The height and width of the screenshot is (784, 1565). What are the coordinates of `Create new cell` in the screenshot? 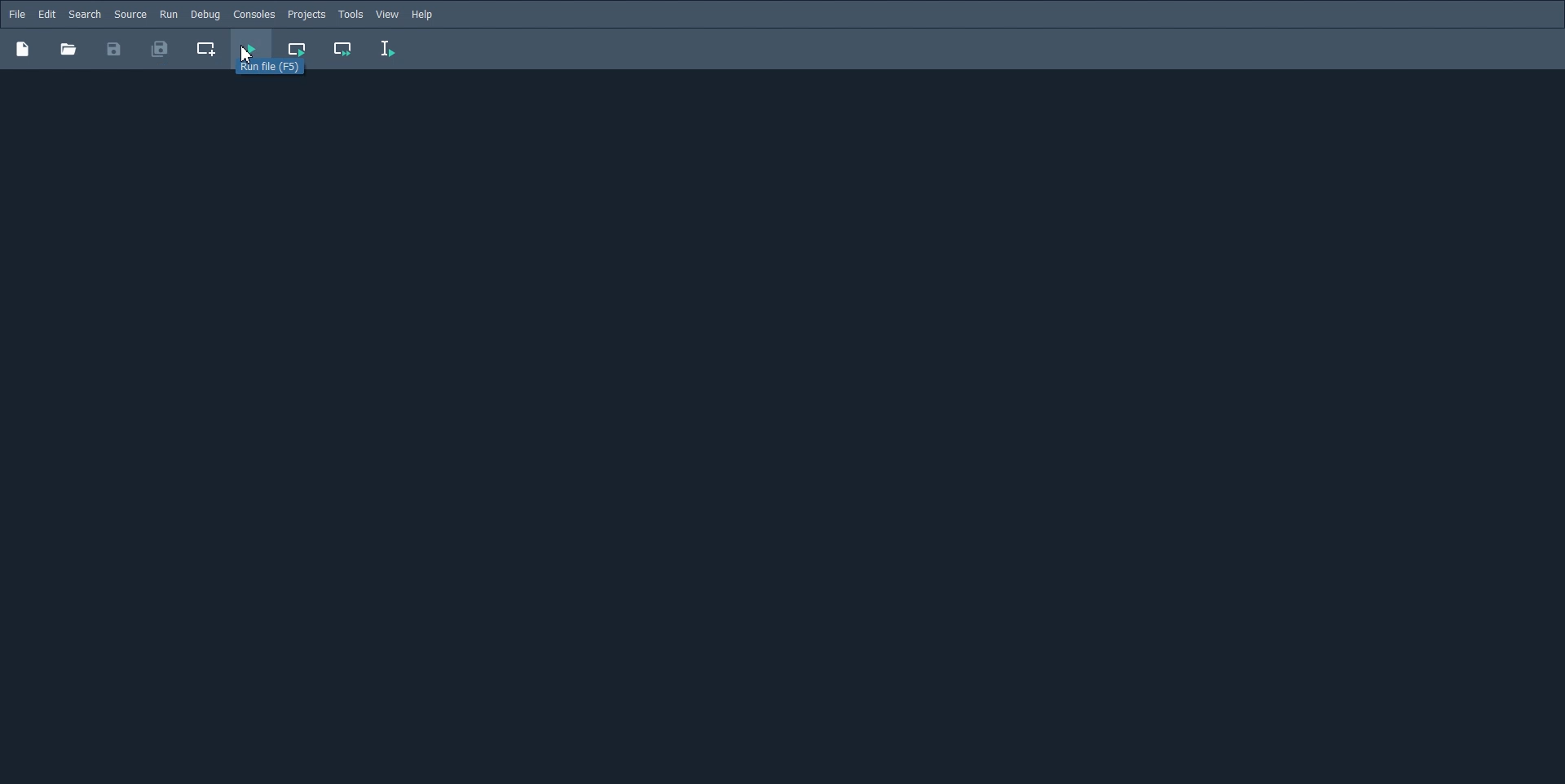 It's located at (207, 49).